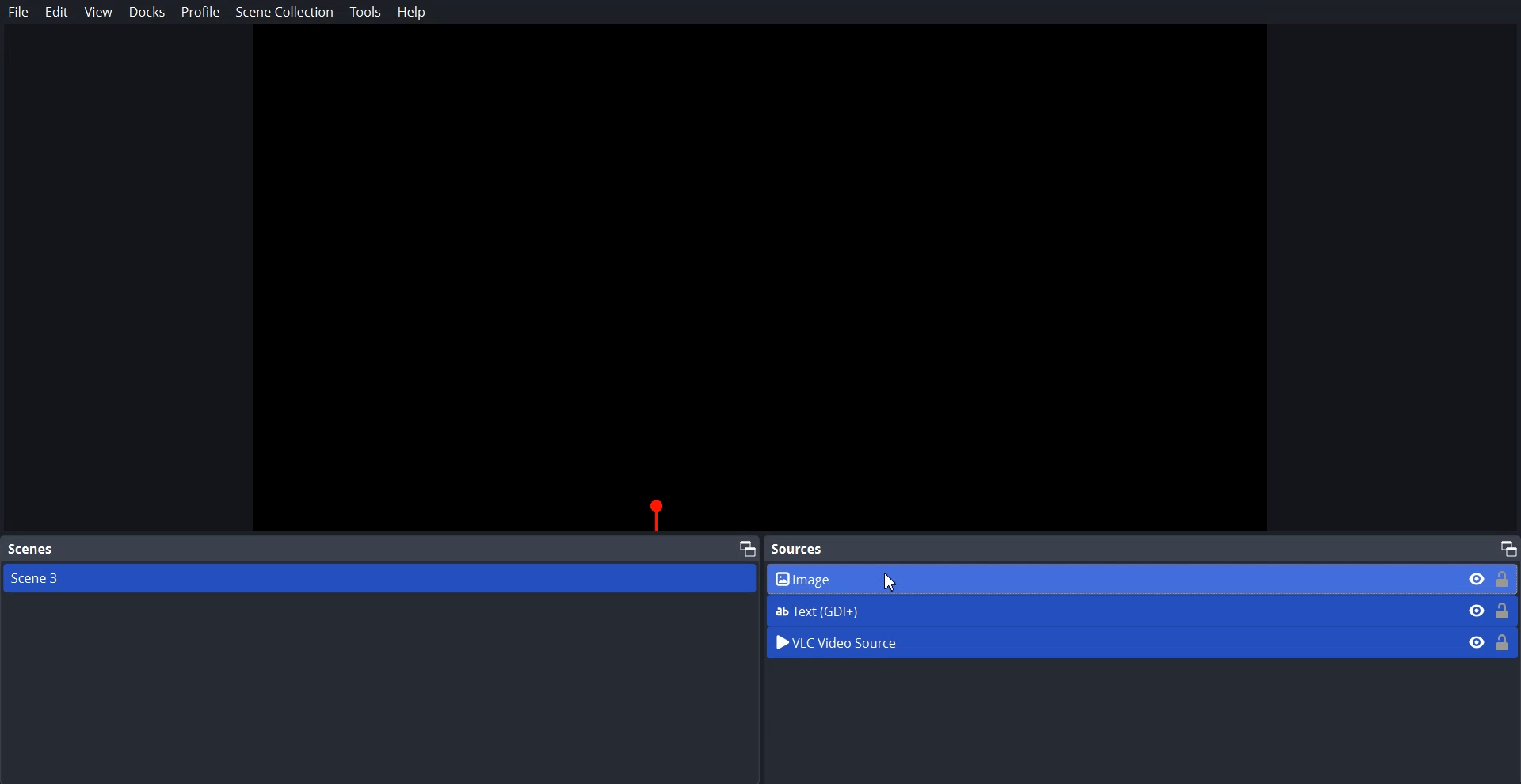 The height and width of the screenshot is (784, 1521). I want to click on Tools, so click(366, 12).